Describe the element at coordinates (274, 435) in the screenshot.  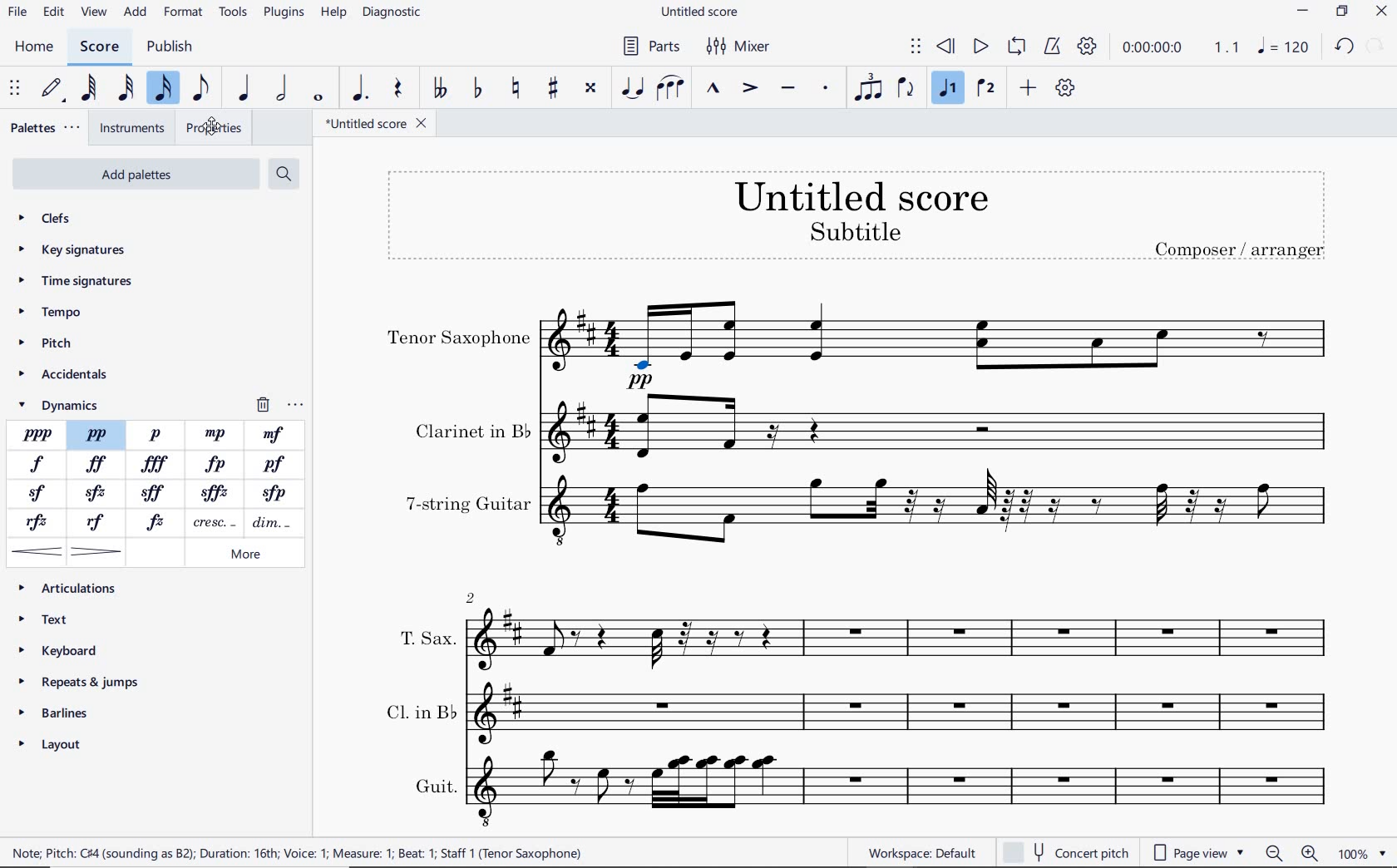
I see `MF (MEZZO-FORTE)` at that location.